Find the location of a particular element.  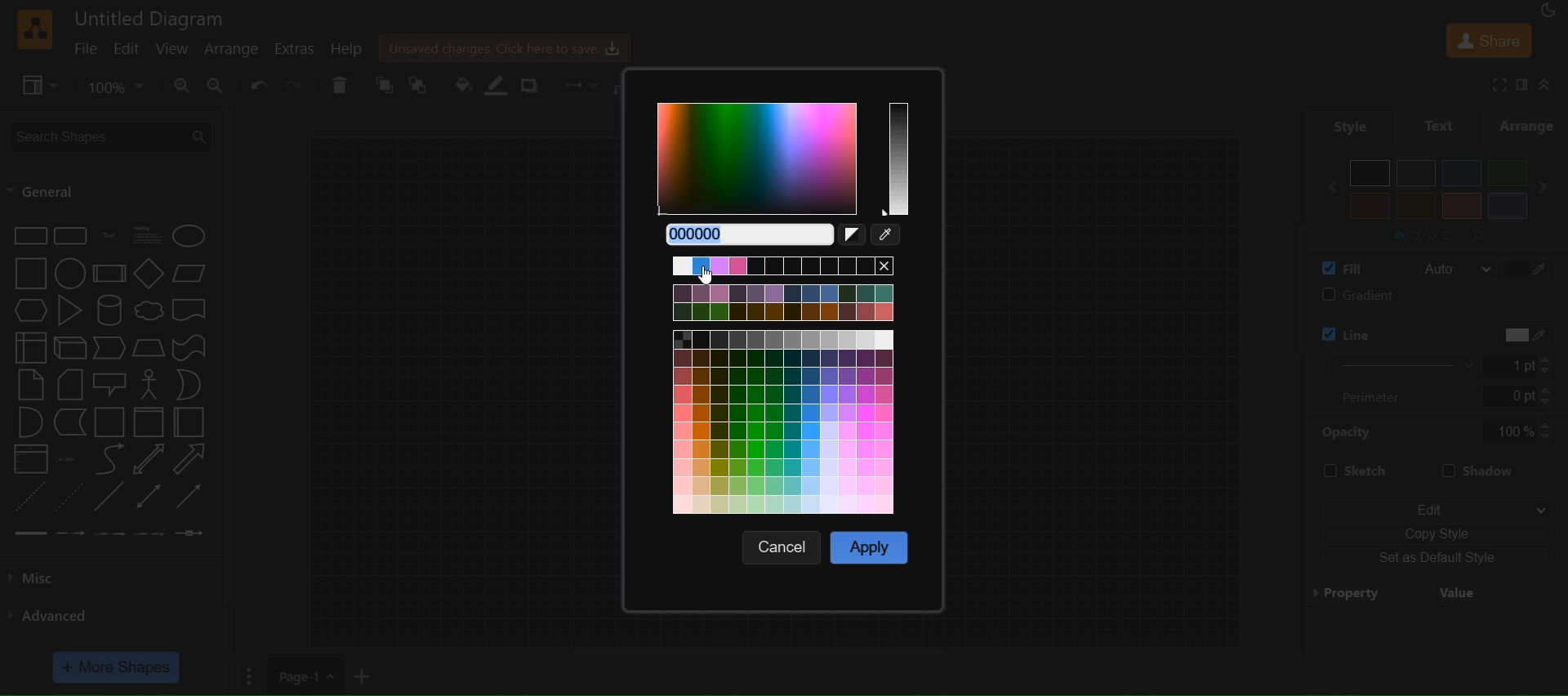

vertical container is located at coordinates (148, 424).